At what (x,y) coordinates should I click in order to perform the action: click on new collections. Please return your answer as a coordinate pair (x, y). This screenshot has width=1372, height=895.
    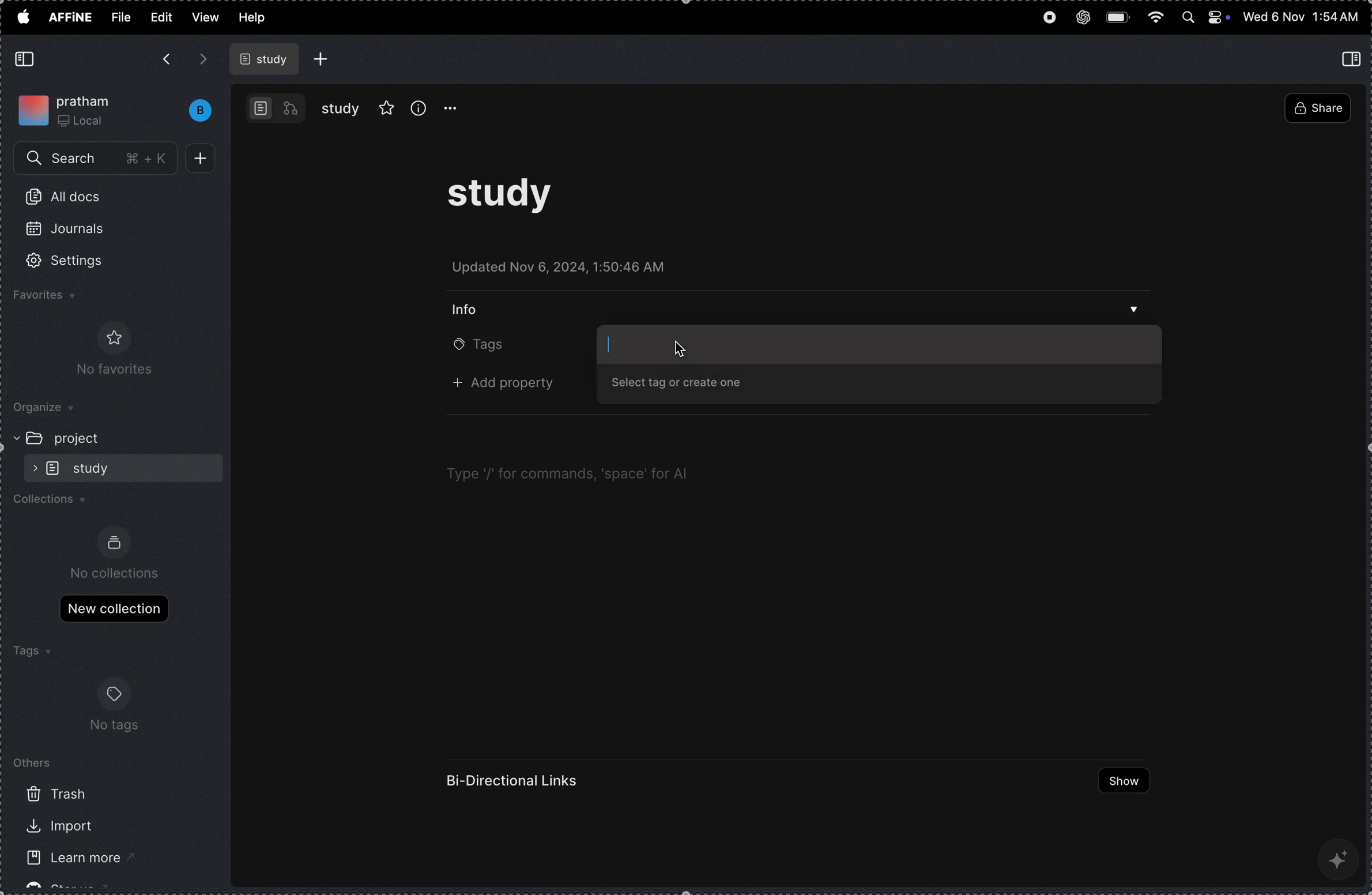
    Looking at the image, I should click on (114, 607).